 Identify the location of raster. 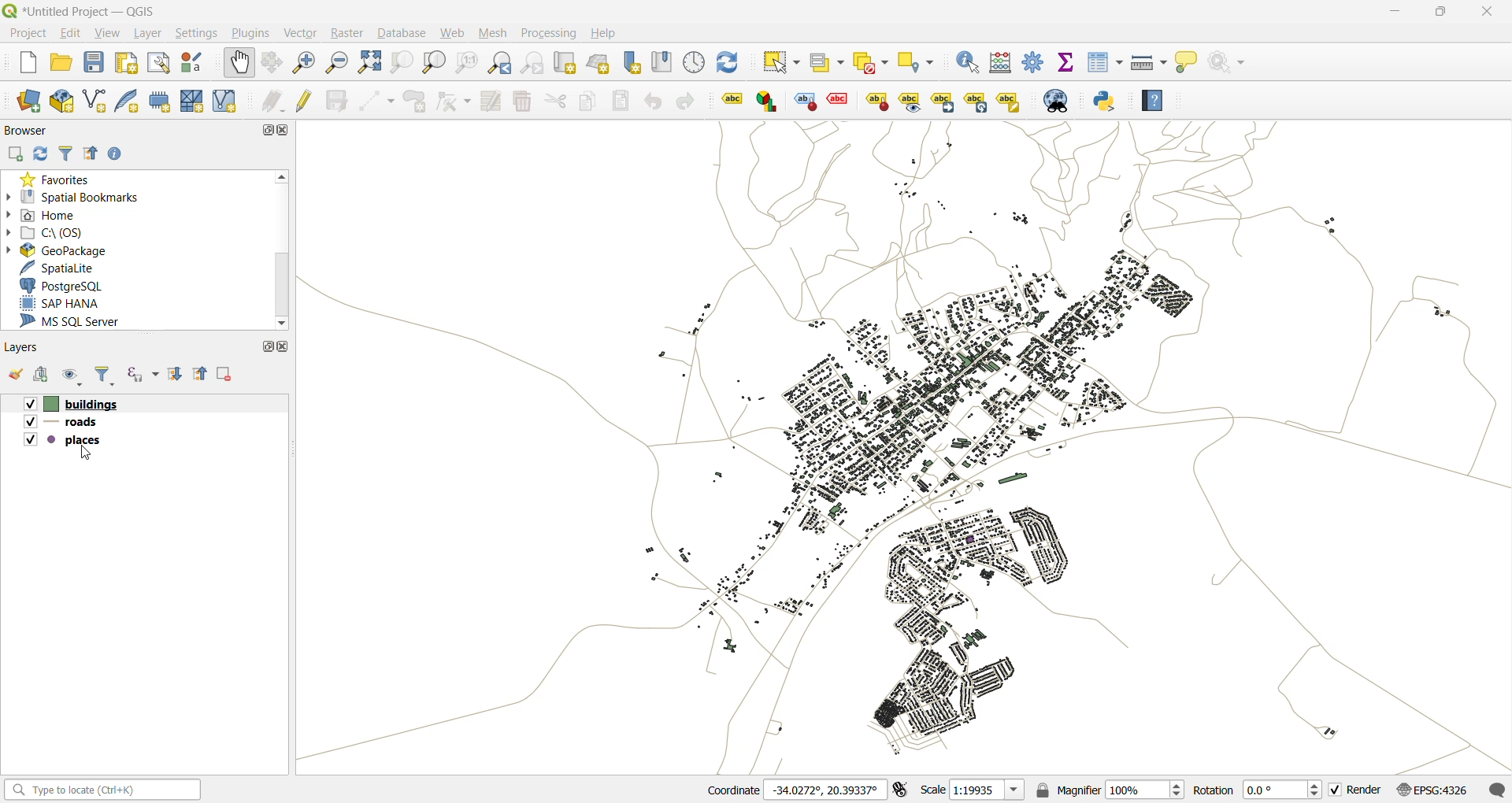
(349, 33).